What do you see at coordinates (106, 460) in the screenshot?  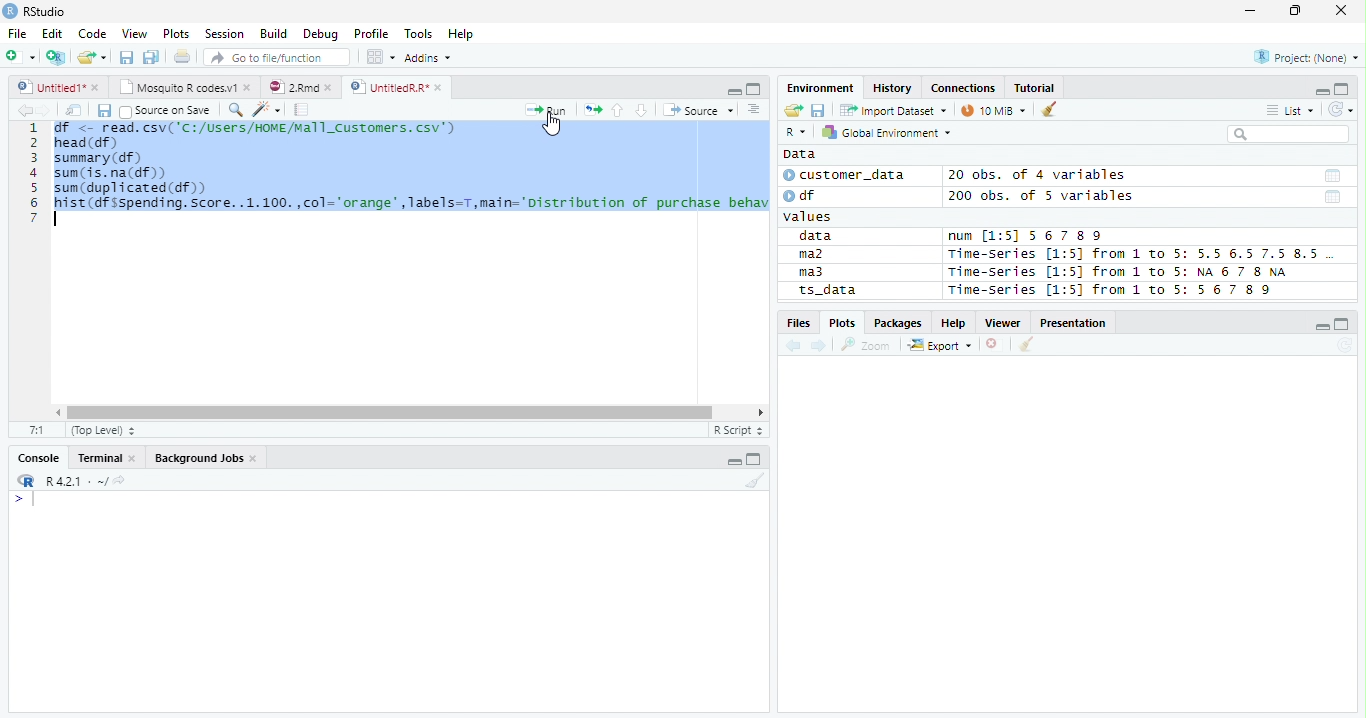 I see `Terminal` at bounding box center [106, 460].